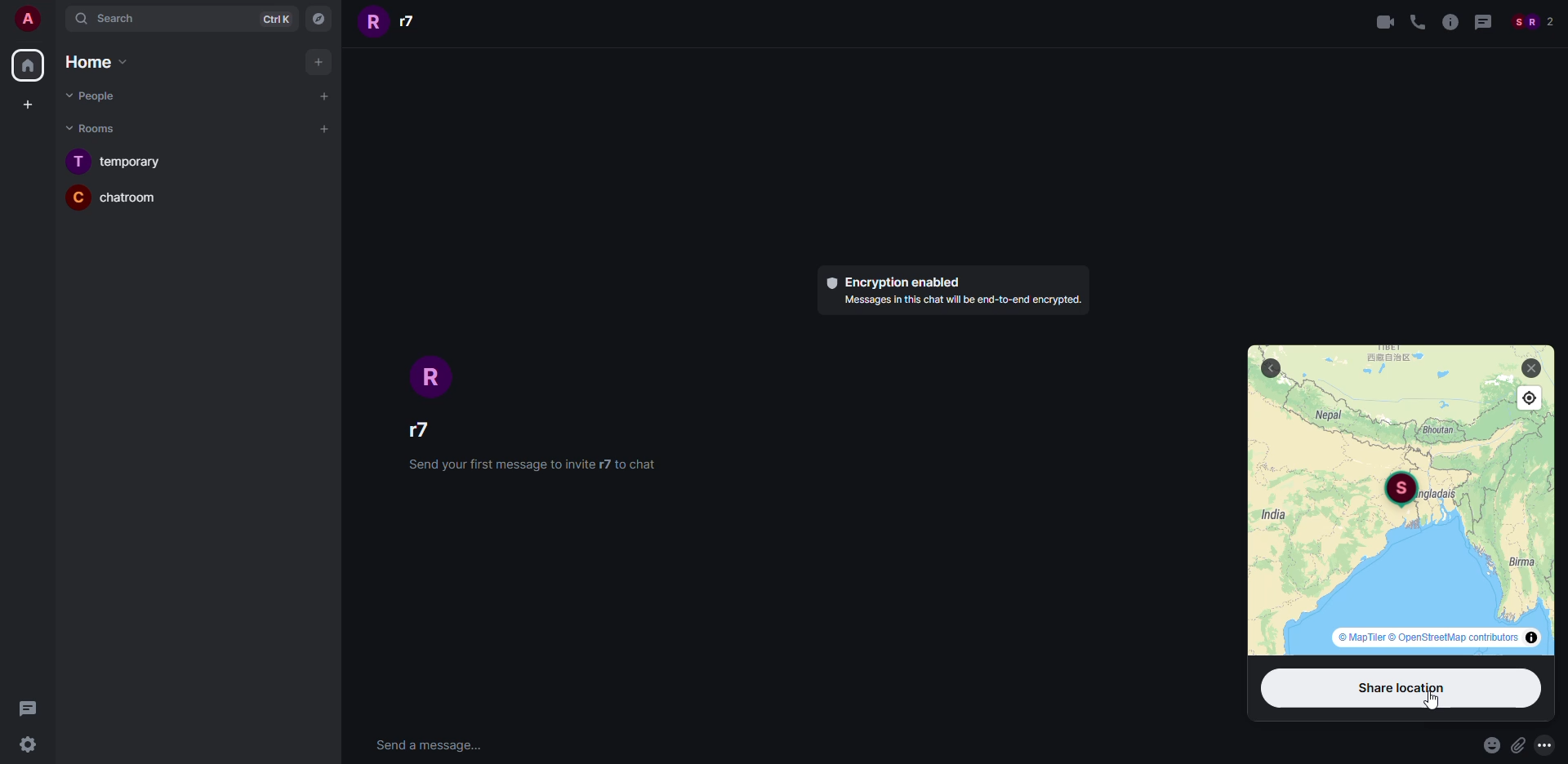 The width and height of the screenshot is (1568, 764). What do you see at coordinates (278, 19) in the screenshot?
I see `CtrlK` at bounding box center [278, 19].